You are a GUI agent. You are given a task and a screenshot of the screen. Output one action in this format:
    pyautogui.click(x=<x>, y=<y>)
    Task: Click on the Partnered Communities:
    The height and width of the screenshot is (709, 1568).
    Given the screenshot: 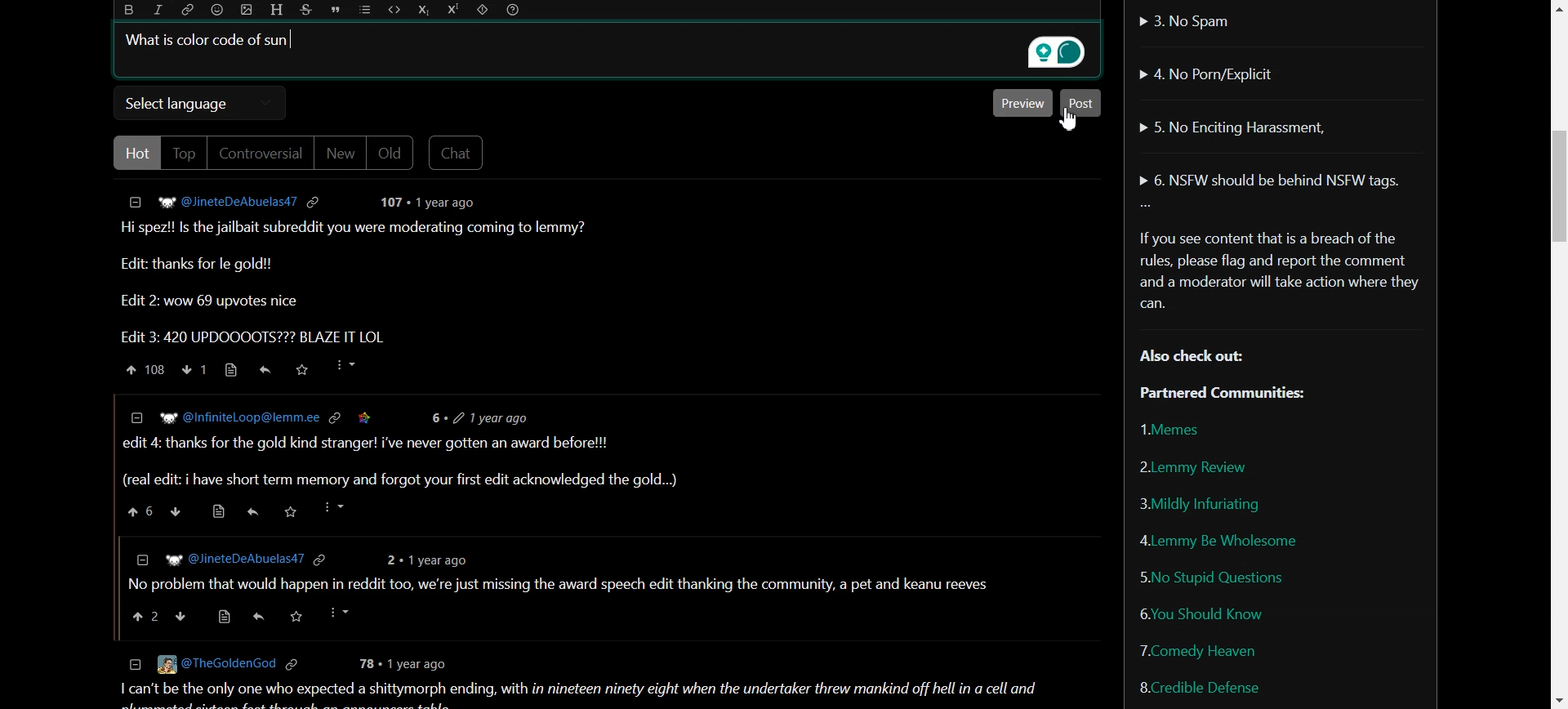 What is the action you would take?
    pyautogui.click(x=1242, y=393)
    